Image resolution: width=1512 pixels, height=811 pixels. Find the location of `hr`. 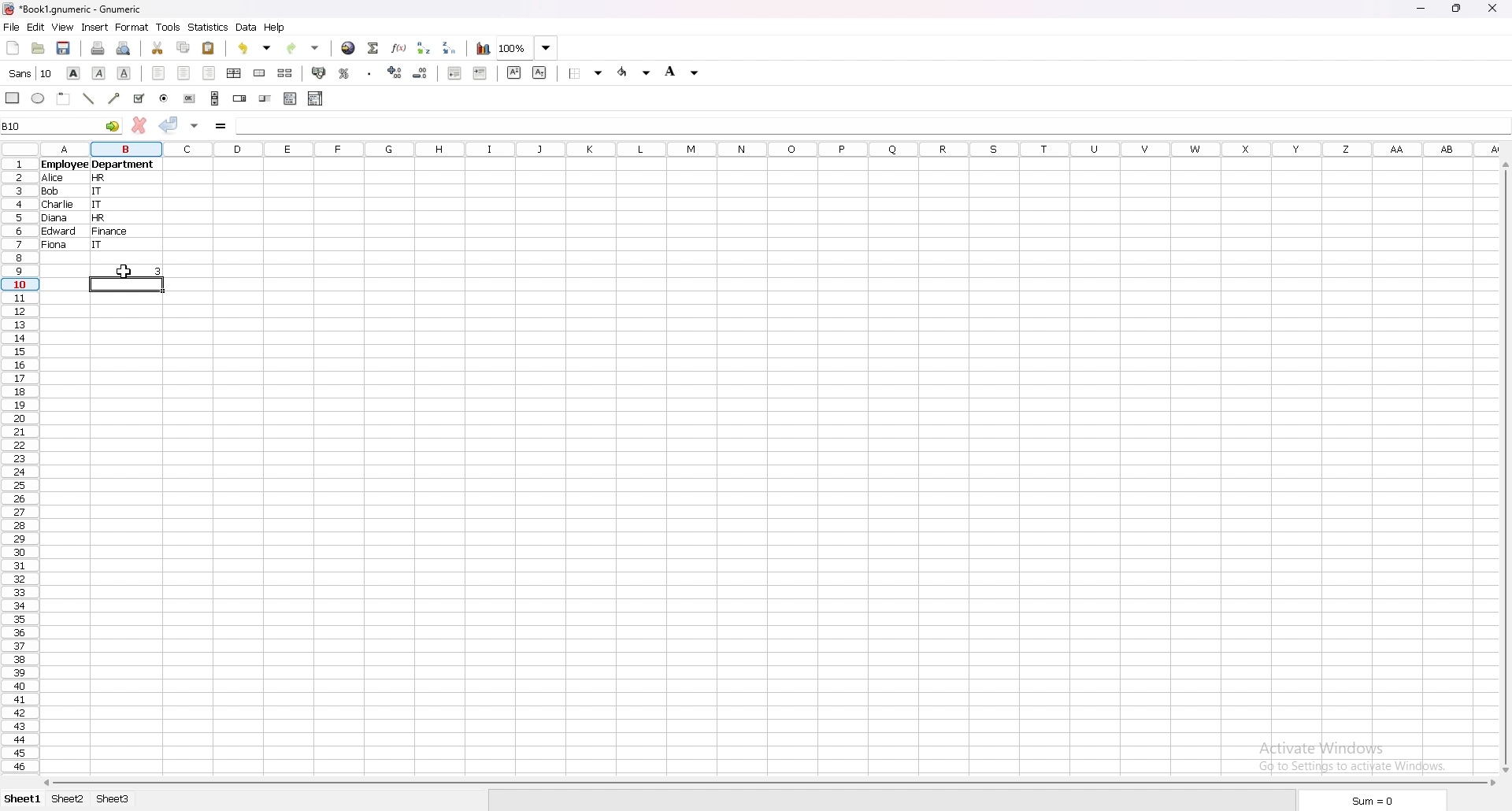

hr is located at coordinates (98, 179).